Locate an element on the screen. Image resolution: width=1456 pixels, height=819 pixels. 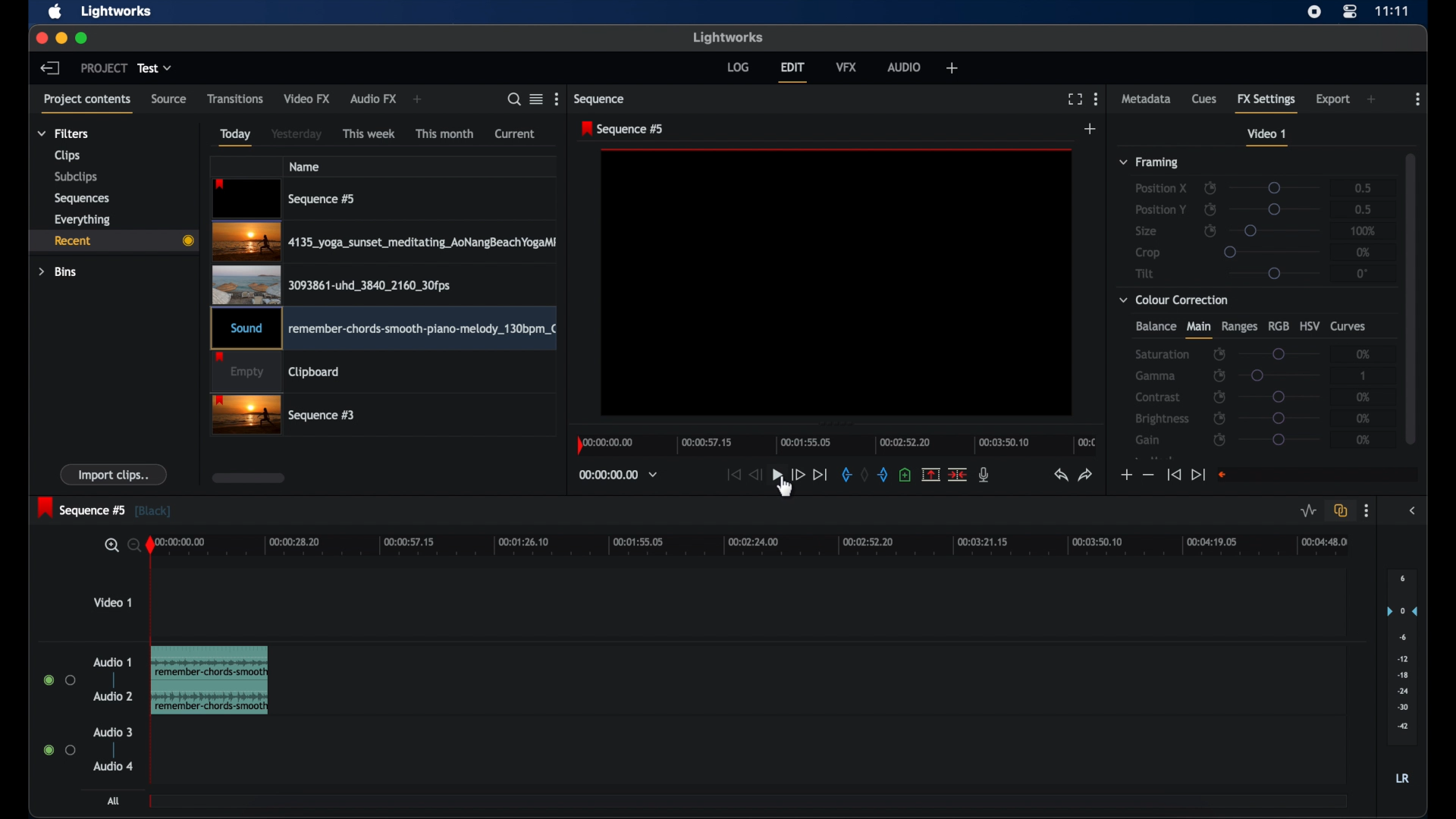
tilt is located at coordinates (1145, 273).